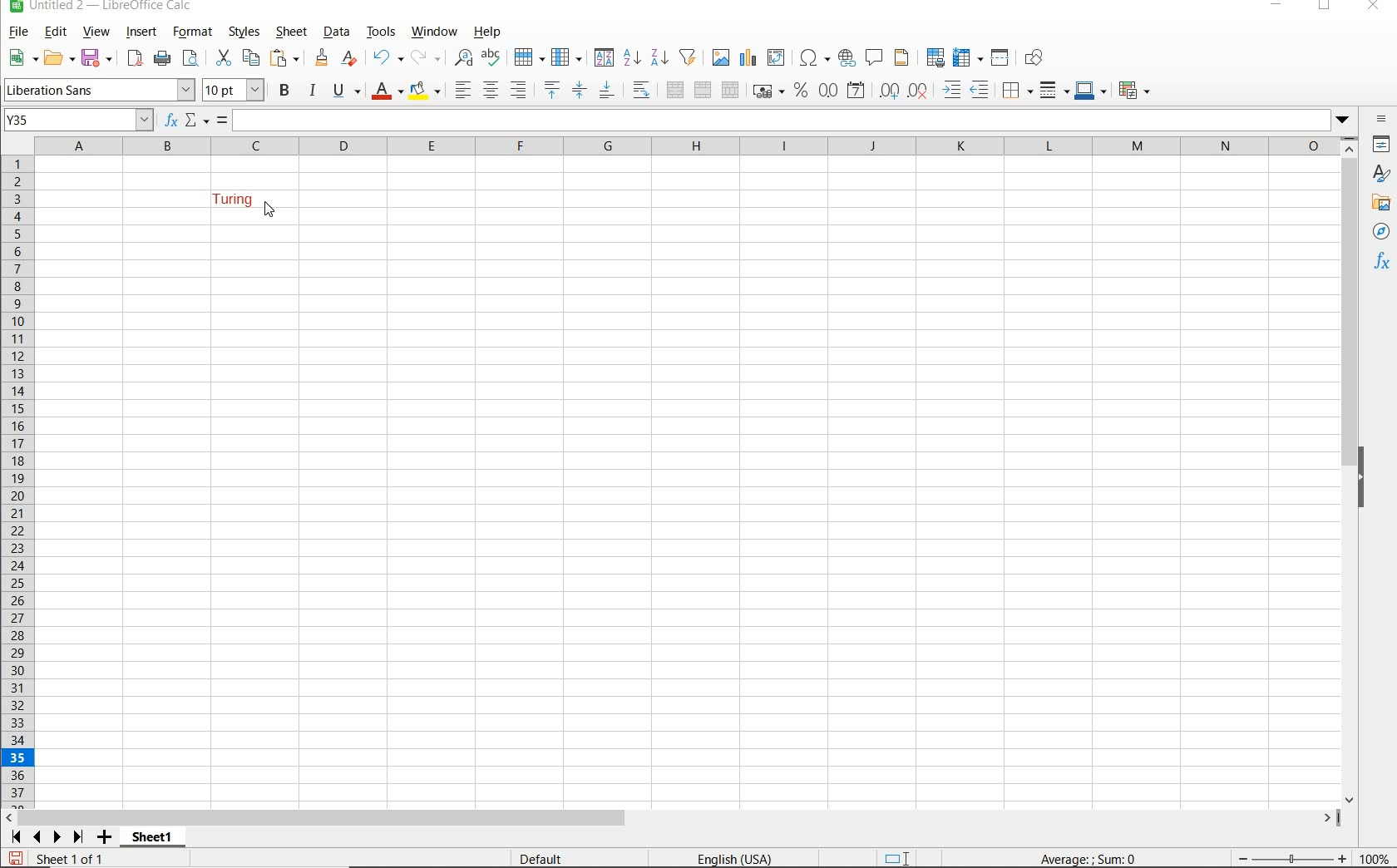 The image size is (1397, 868). Describe the element at coordinates (953, 91) in the screenshot. I see `INCREASE INDENT` at that location.